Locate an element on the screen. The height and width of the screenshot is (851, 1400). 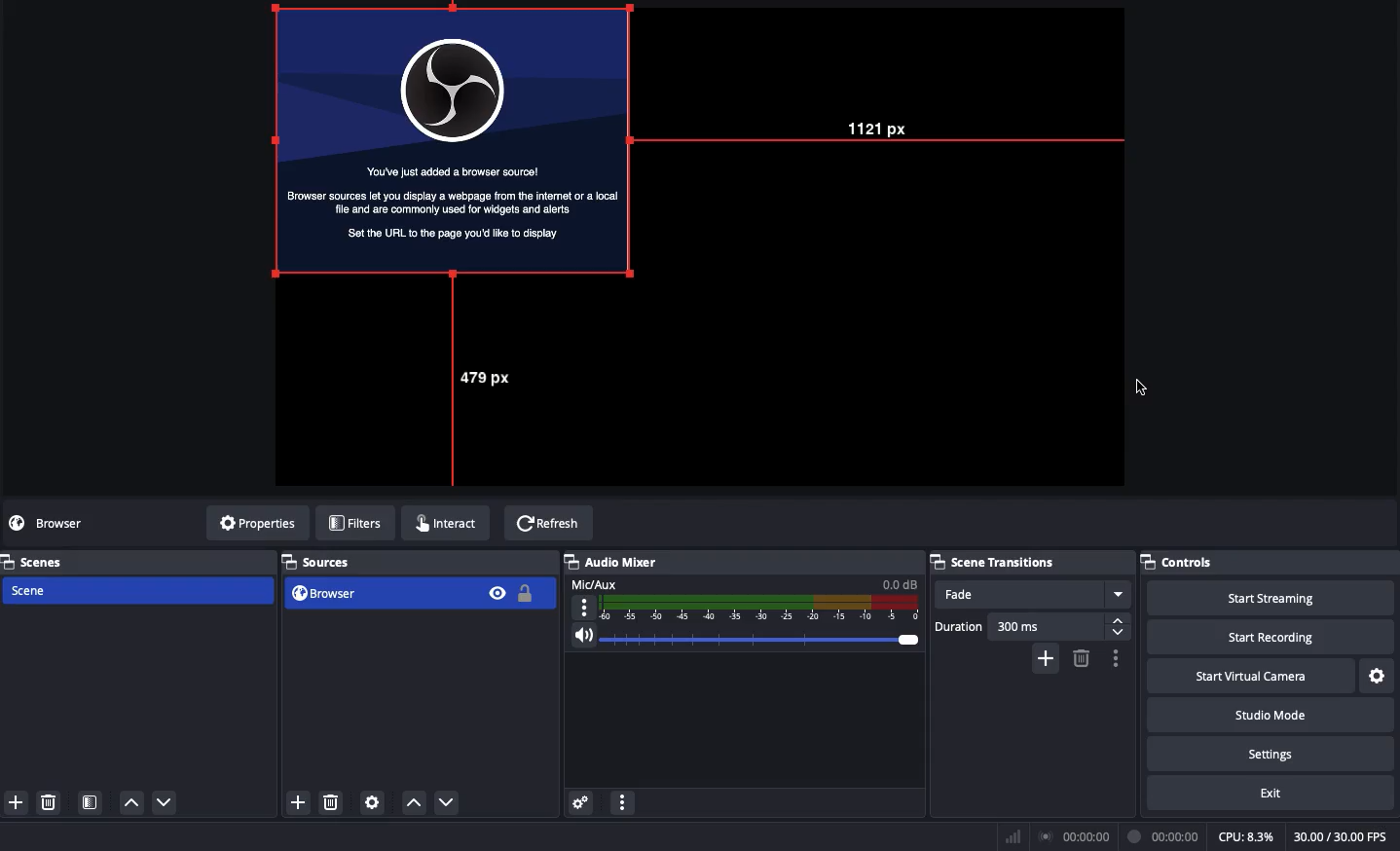
Broadcast is located at coordinates (1072, 836).